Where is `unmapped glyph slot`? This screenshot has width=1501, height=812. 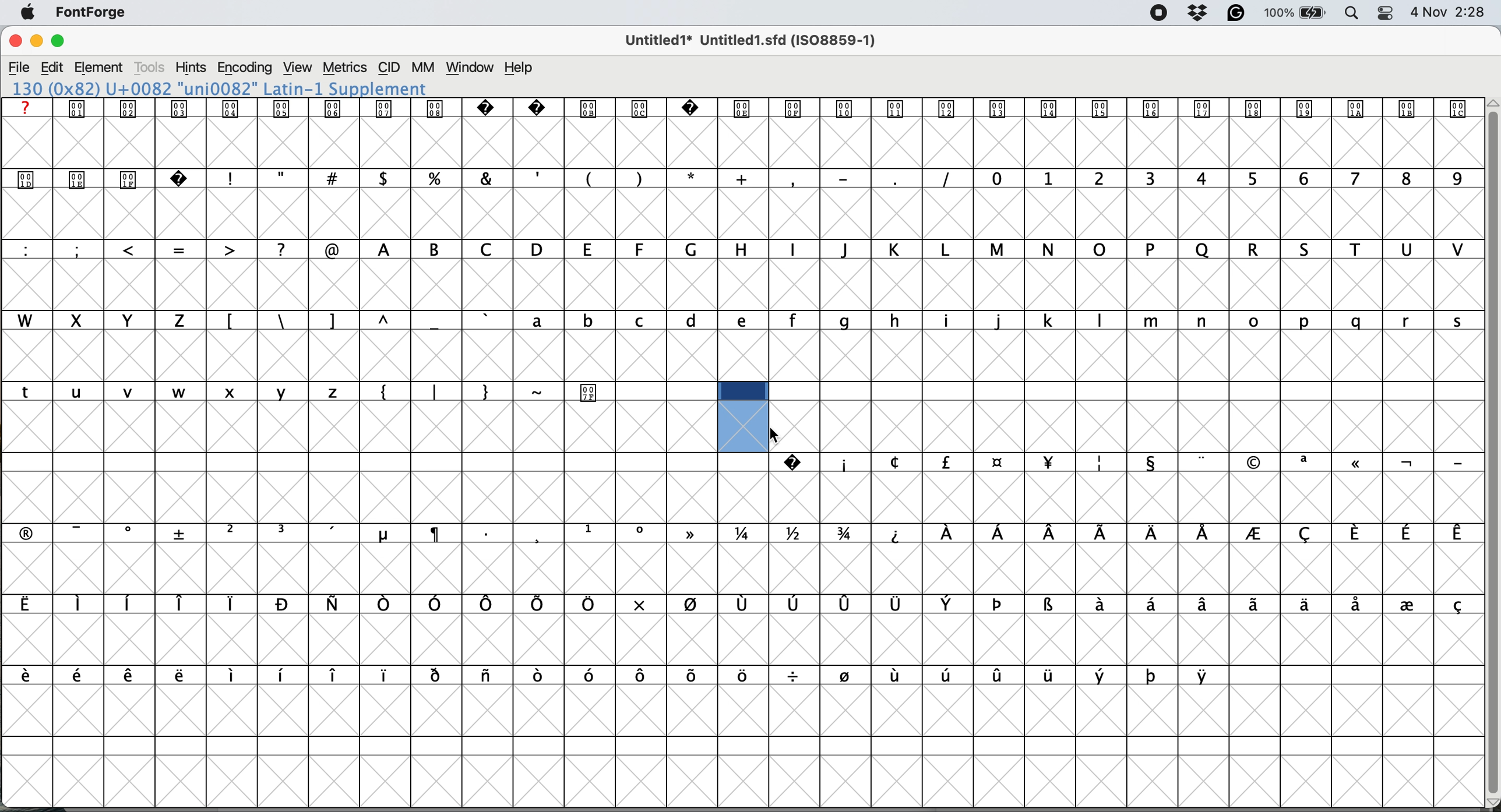
unmapped glyph slot is located at coordinates (740, 416).